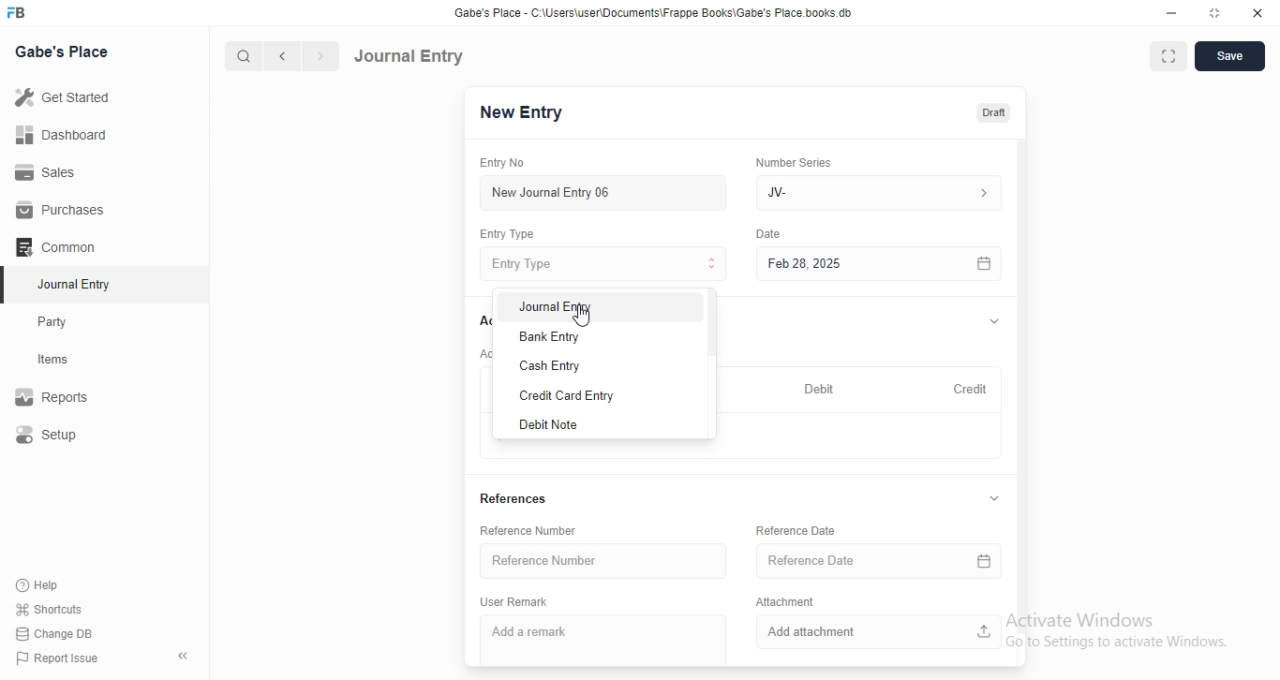 Image resolution: width=1280 pixels, height=680 pixels. I want to click on Reference Number, so click(543, 531).